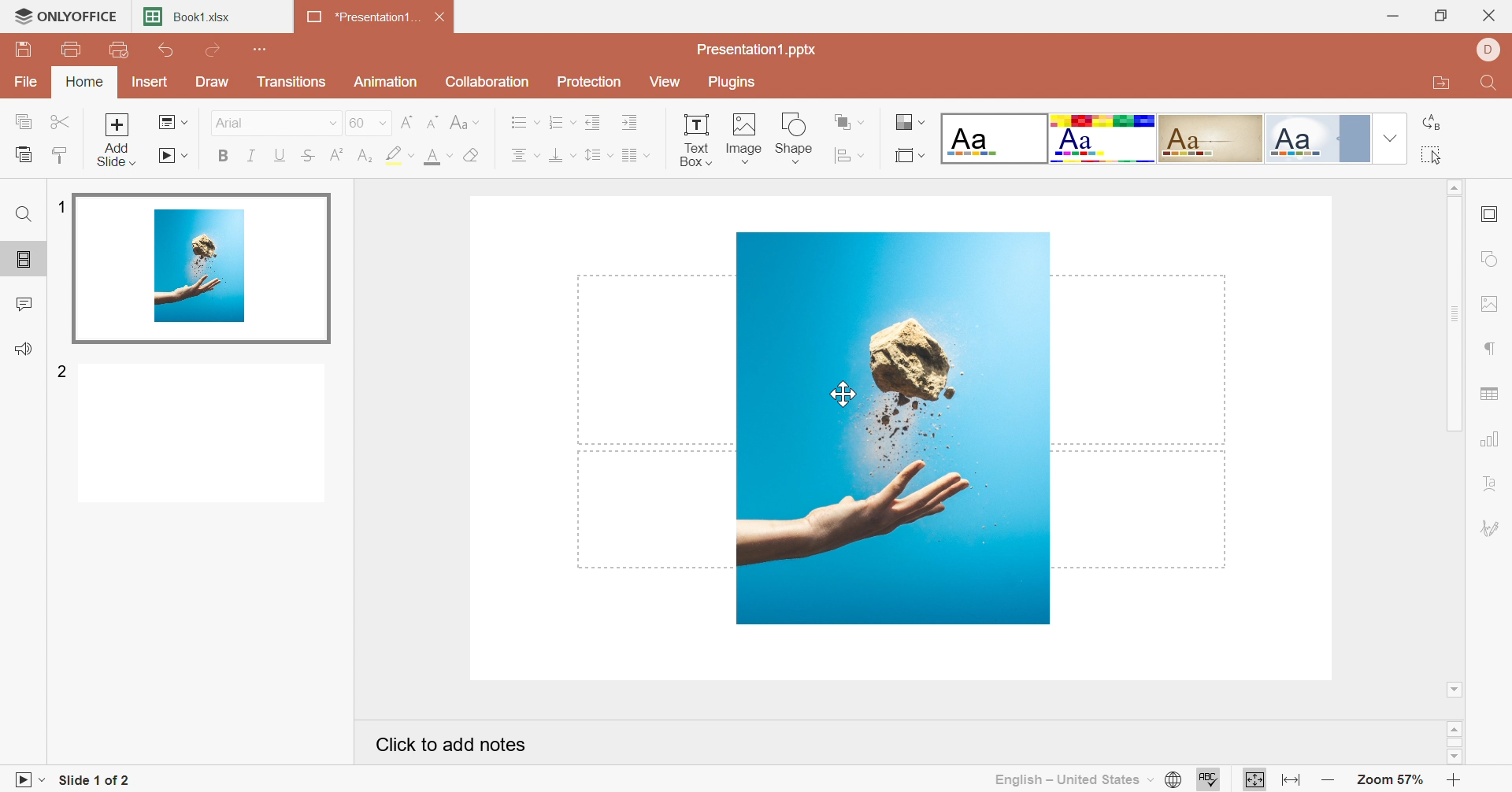 The width and height of the screenshot is (1512, 792). Describe the element at coordinates (223, 158) in the screenshot. I see `Bold` at that location.